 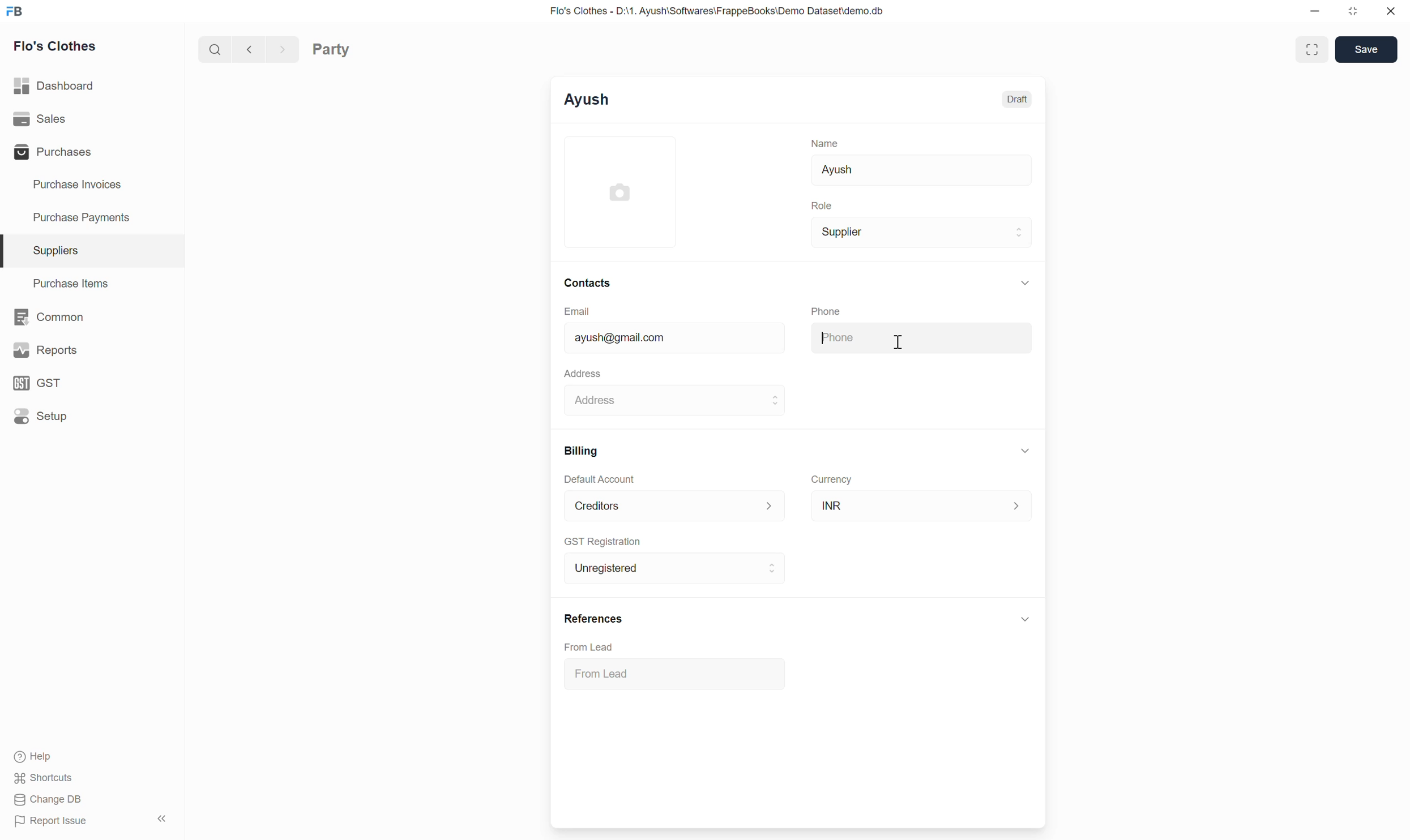 I want to click on Flo's Clothes - D:\1. Ayush\Softwares\FrappeBooks\Demo Dataset\demo.db, so click(x=717, y=11).